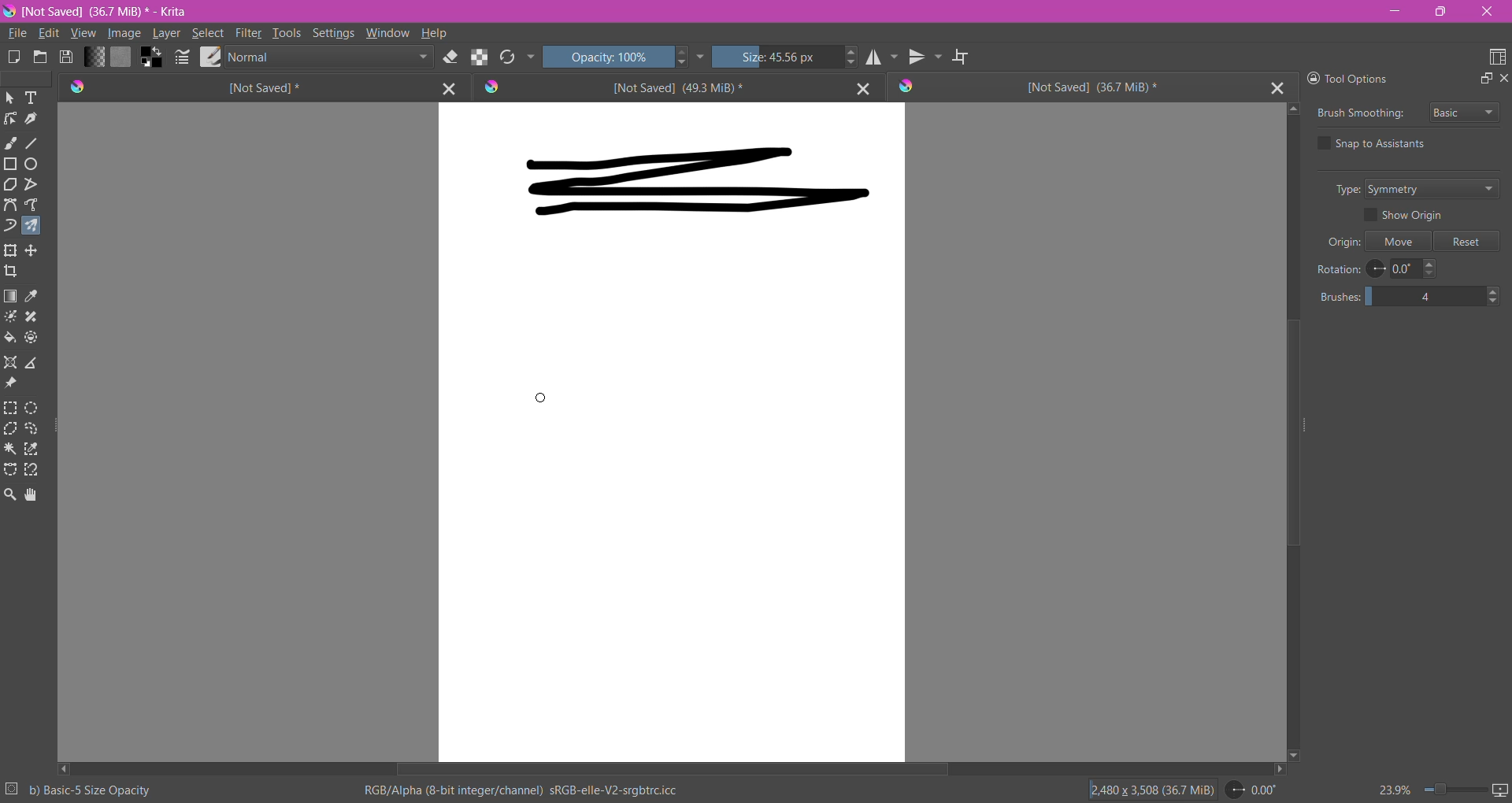 This screenshot has height=803, width=1512. What do you see at coordinates (1496, 57) in the screenshot?
I see `Choose Workspace` at bounding box center [1496, 57].